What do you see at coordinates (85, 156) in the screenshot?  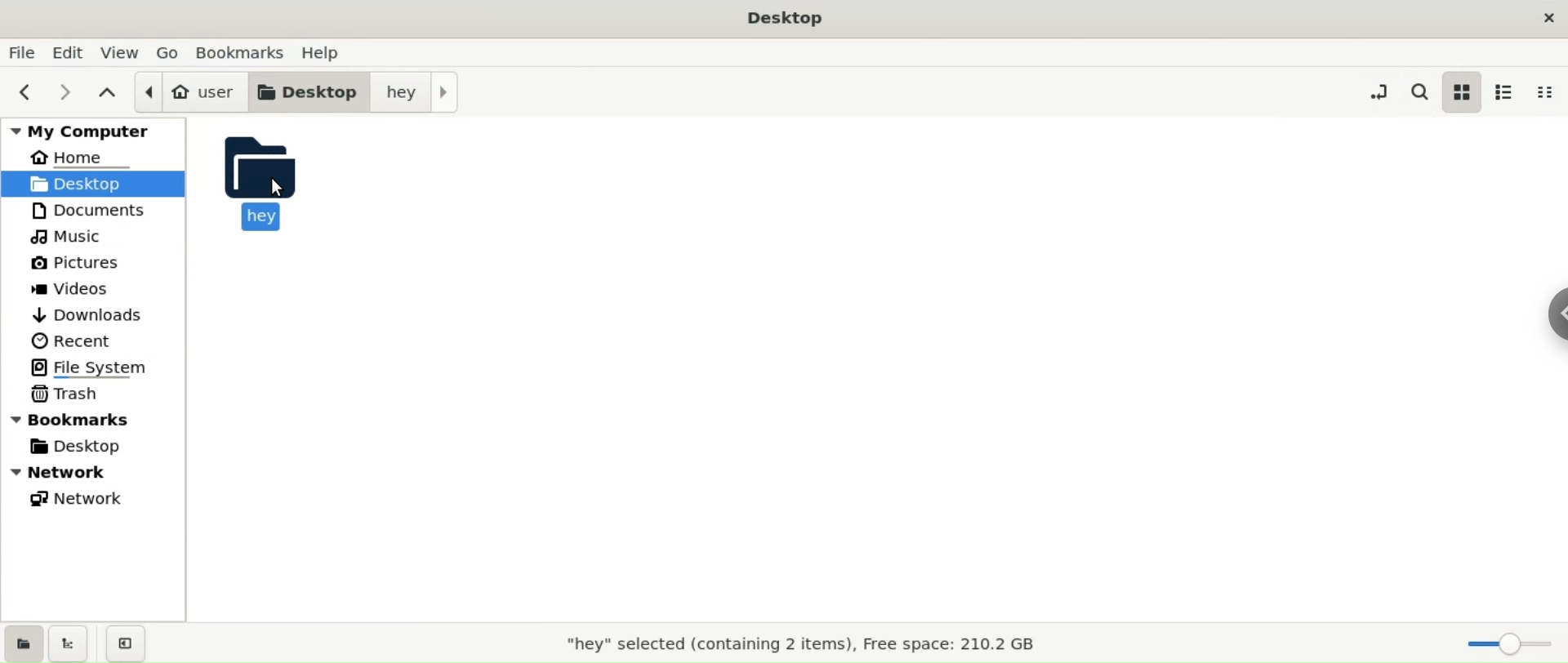 I see `home` at bounding box center [85, 156].